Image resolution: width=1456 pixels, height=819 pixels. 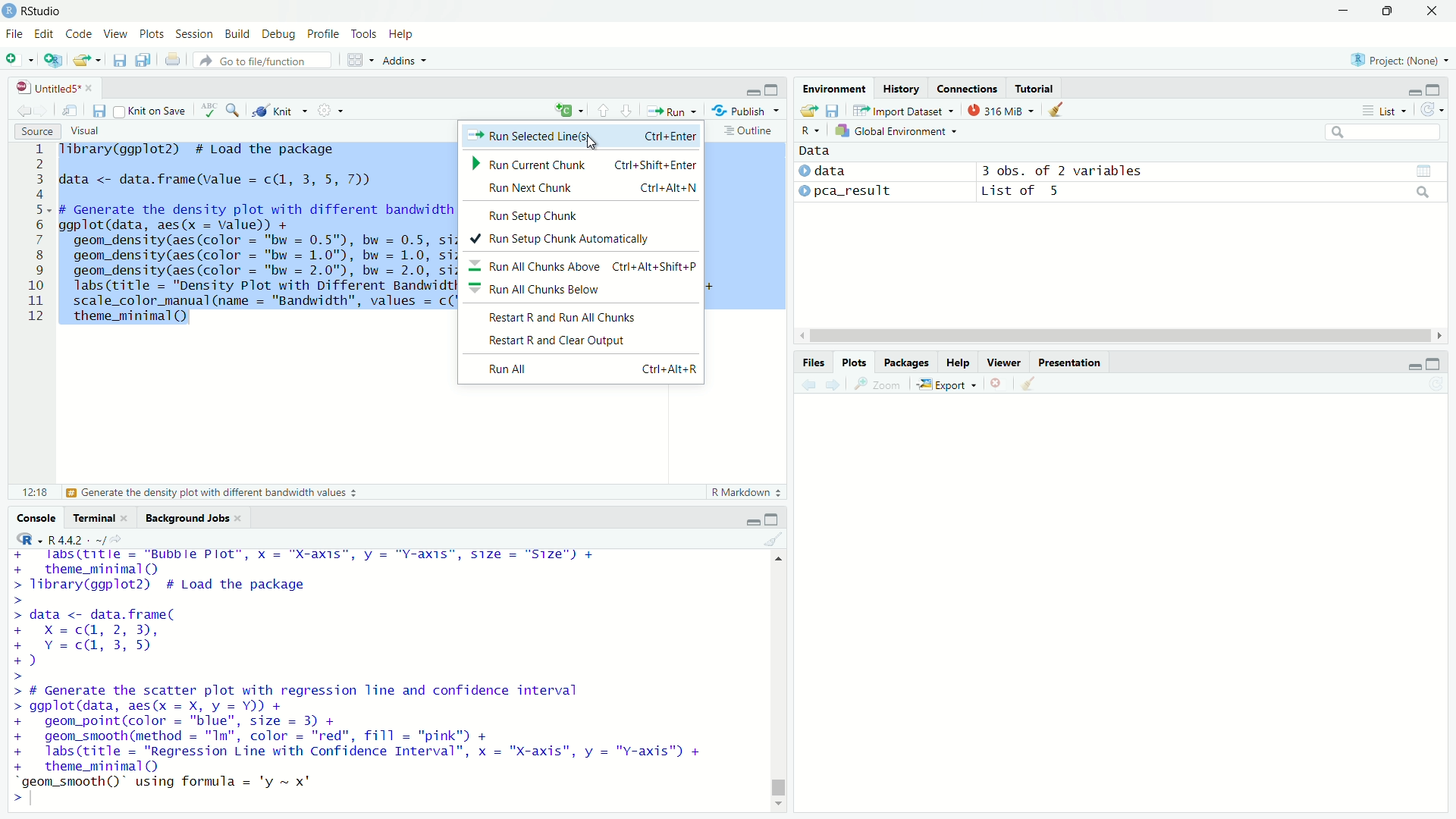 I want to click on Packages, so click(x=905, y=362).